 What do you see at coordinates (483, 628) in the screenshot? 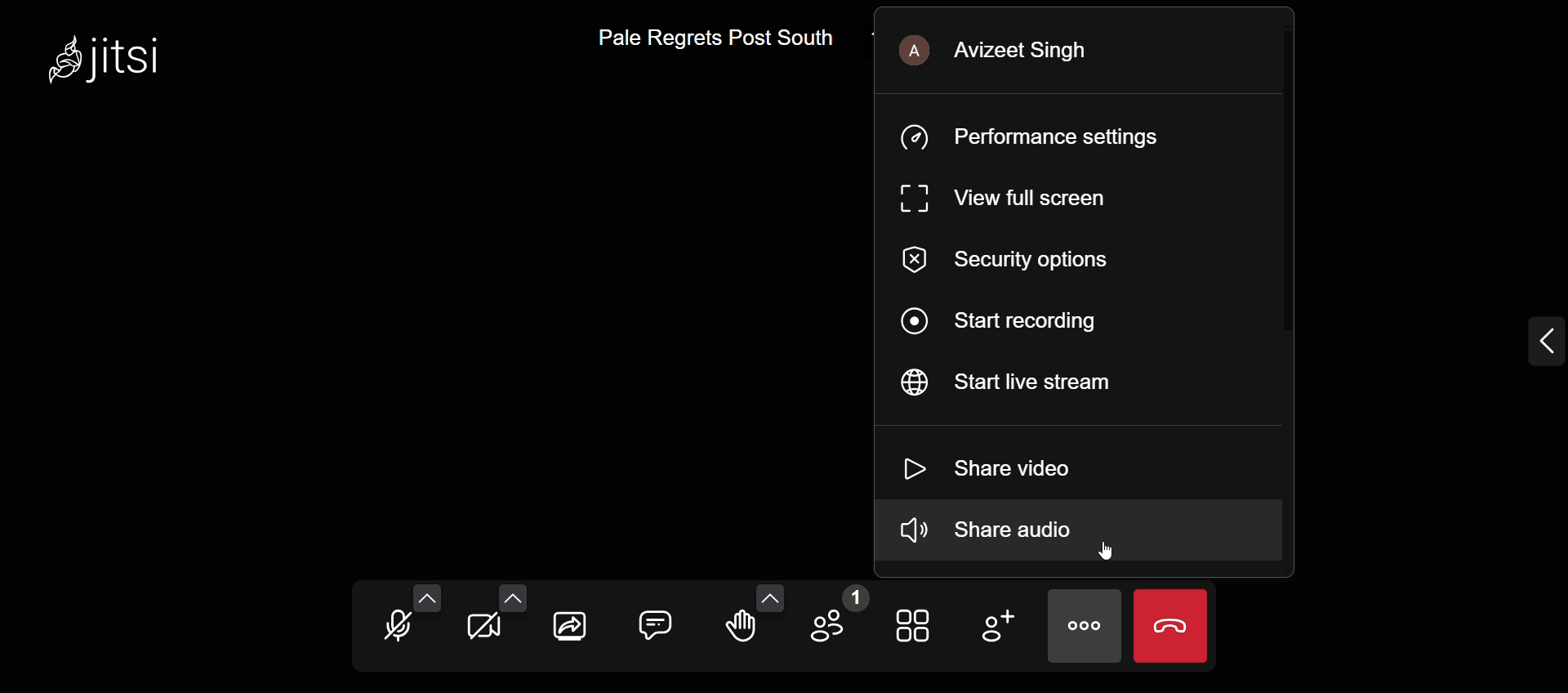
I see `start camera` at bounding box center [483, 628].